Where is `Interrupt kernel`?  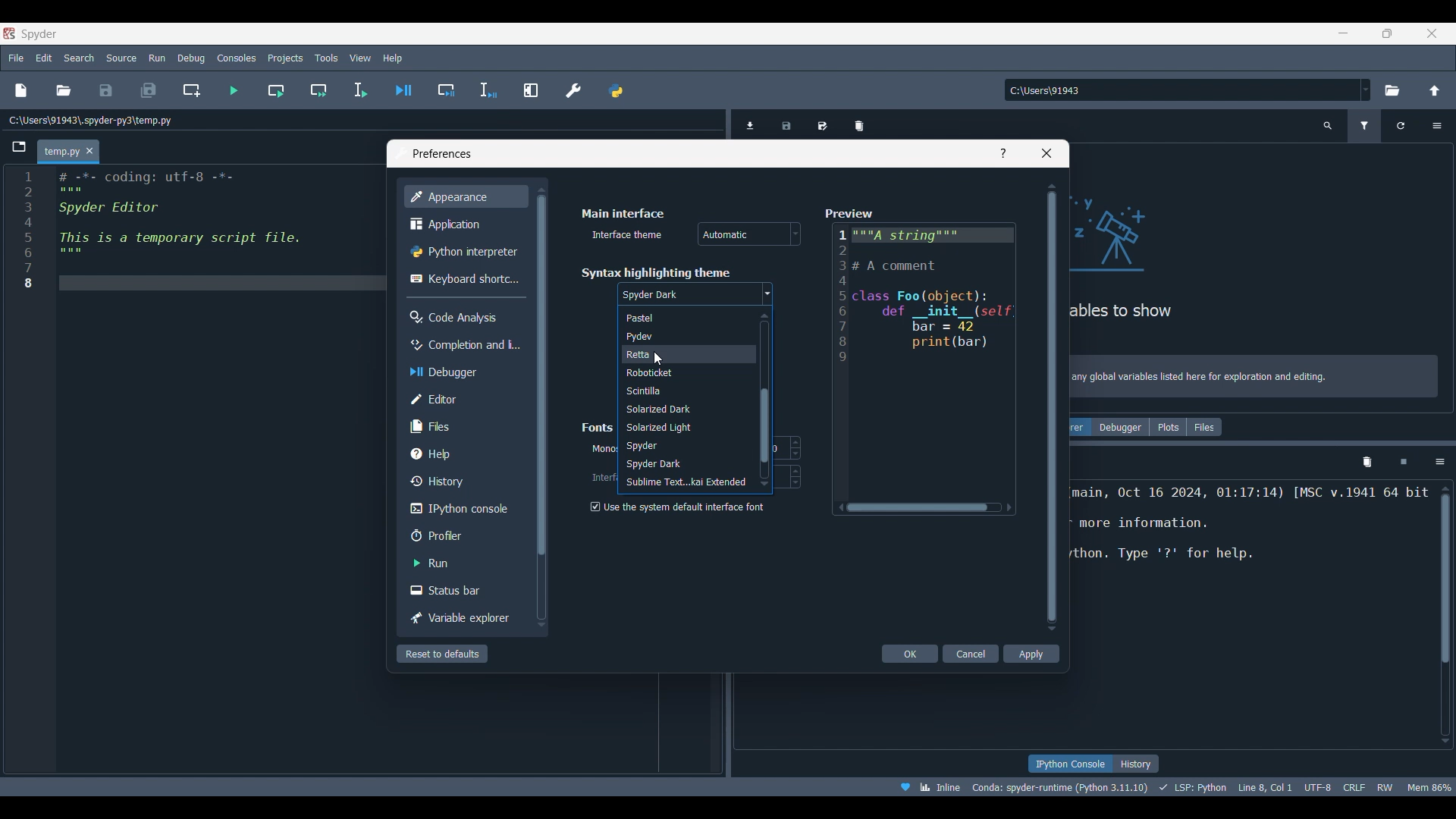
Interrupt kernel is located at coordinates (1404, 463).